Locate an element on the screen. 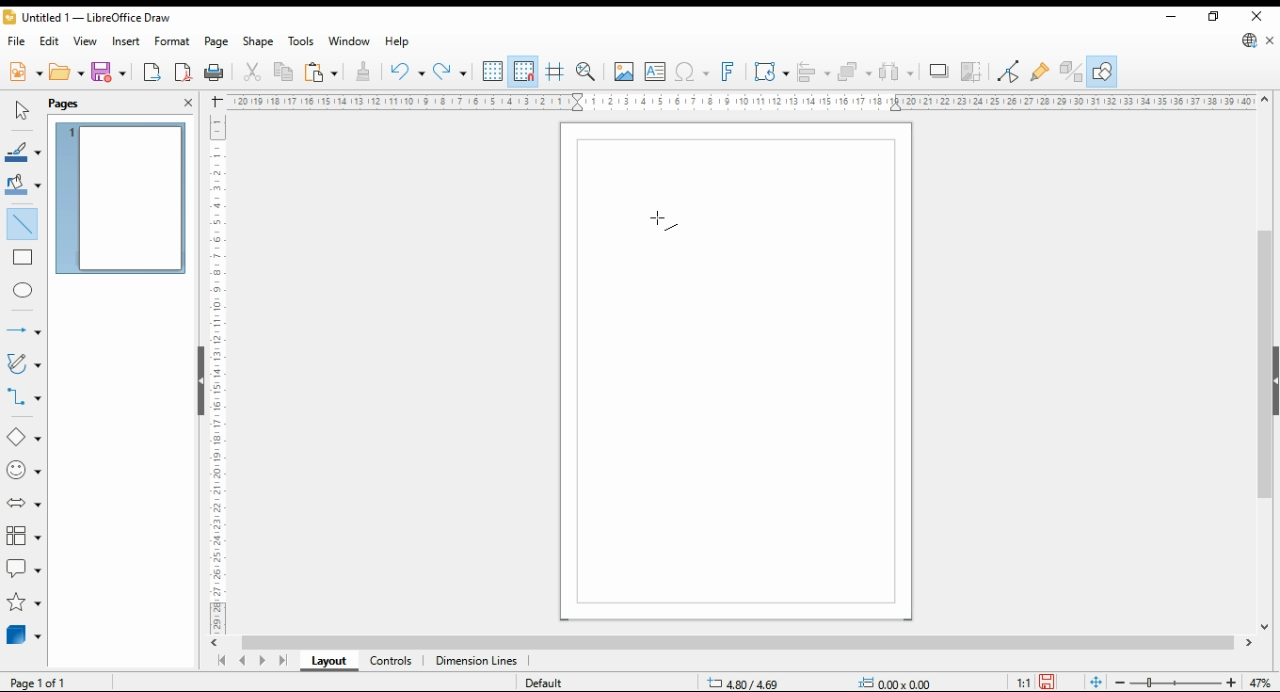 The width and height of the screenshot is (1280, 692). vertical scale is located at coordinates (218, 373).